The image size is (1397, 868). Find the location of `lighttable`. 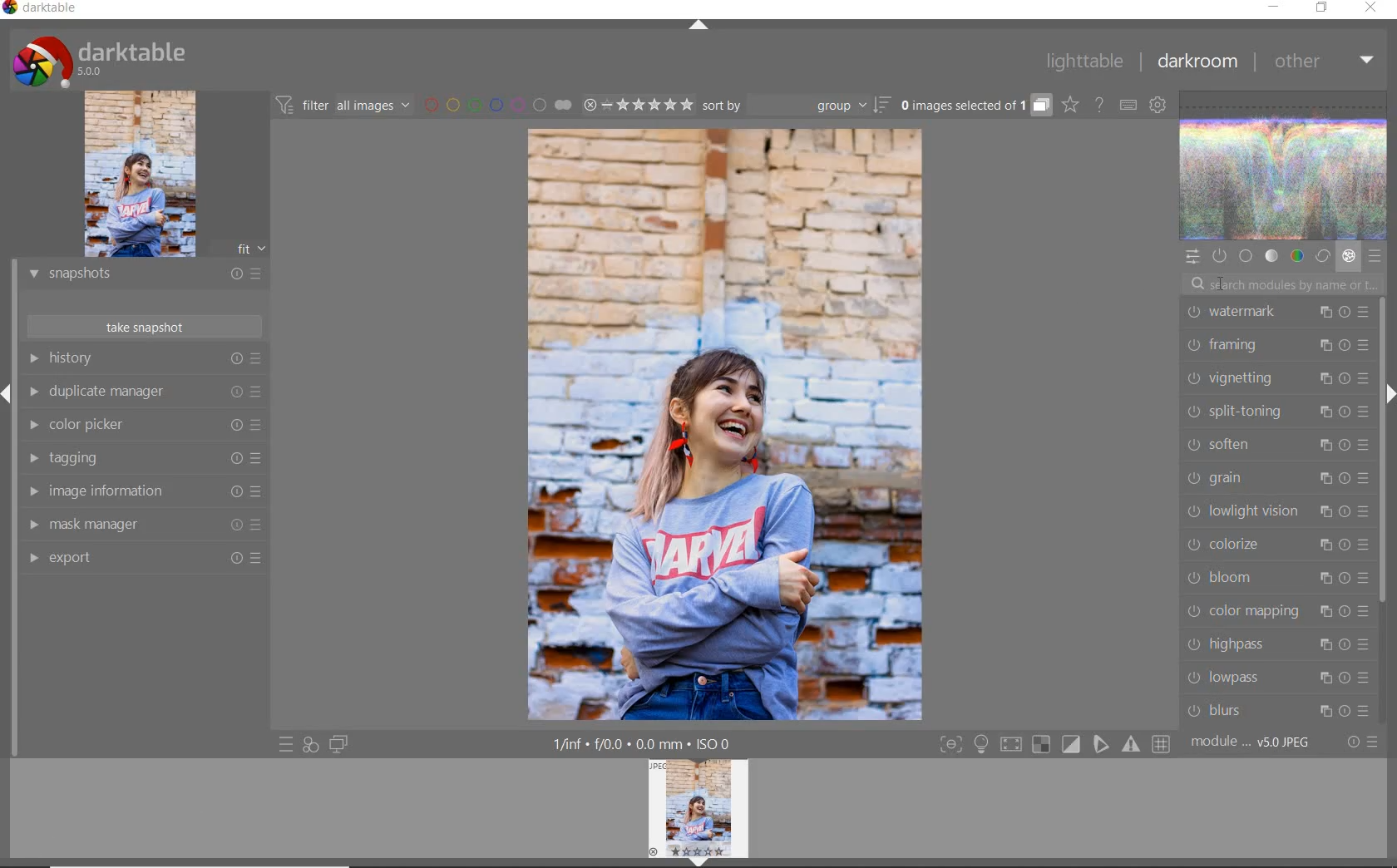

lighttable is located at coordinates (1082, 64).